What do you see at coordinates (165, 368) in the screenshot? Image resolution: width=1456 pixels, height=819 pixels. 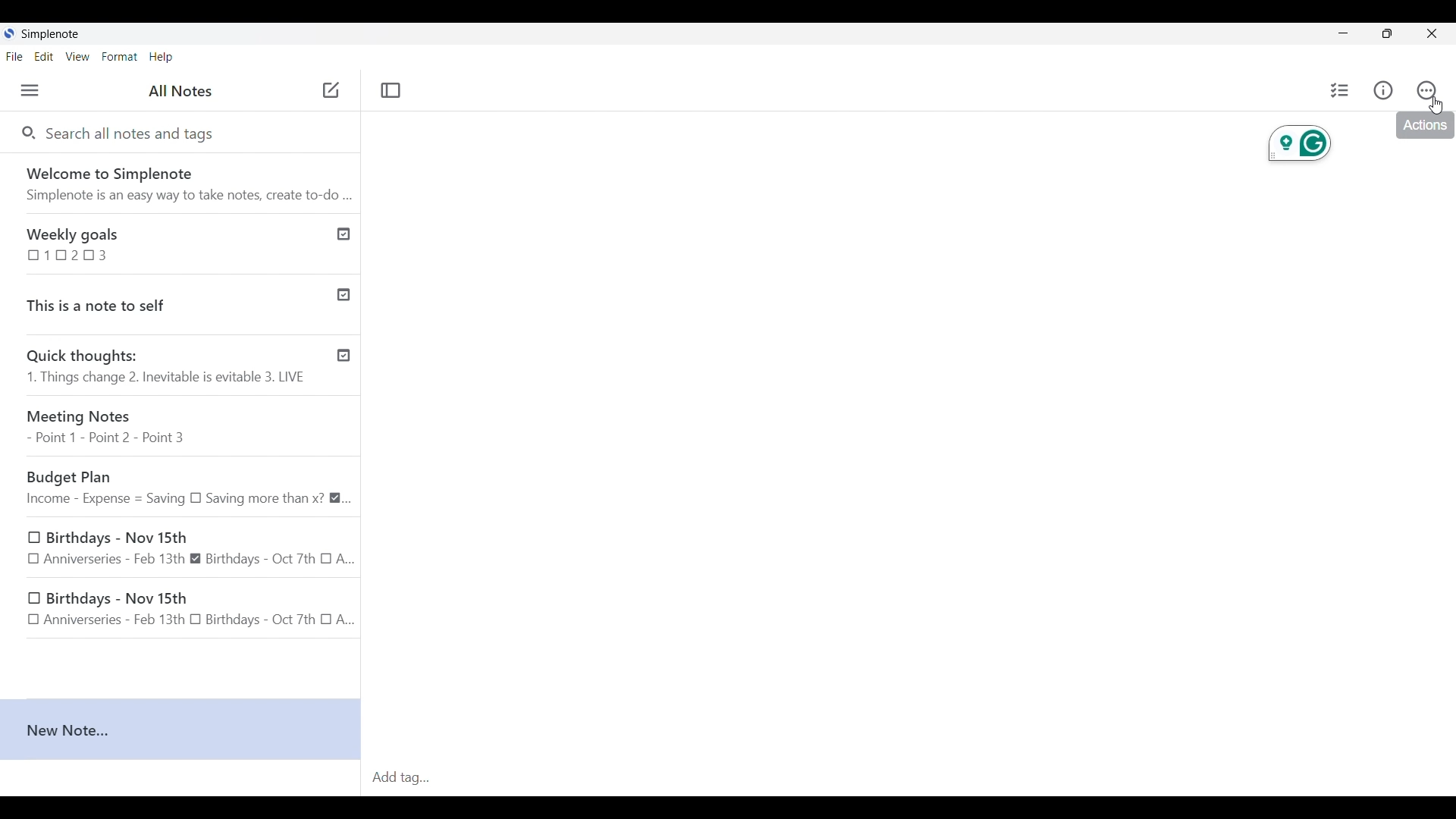 I see `Quick thoughts: 1. Things change 2. Inevitable is evitable 3. LIVE` at bounding box center [165, 368].